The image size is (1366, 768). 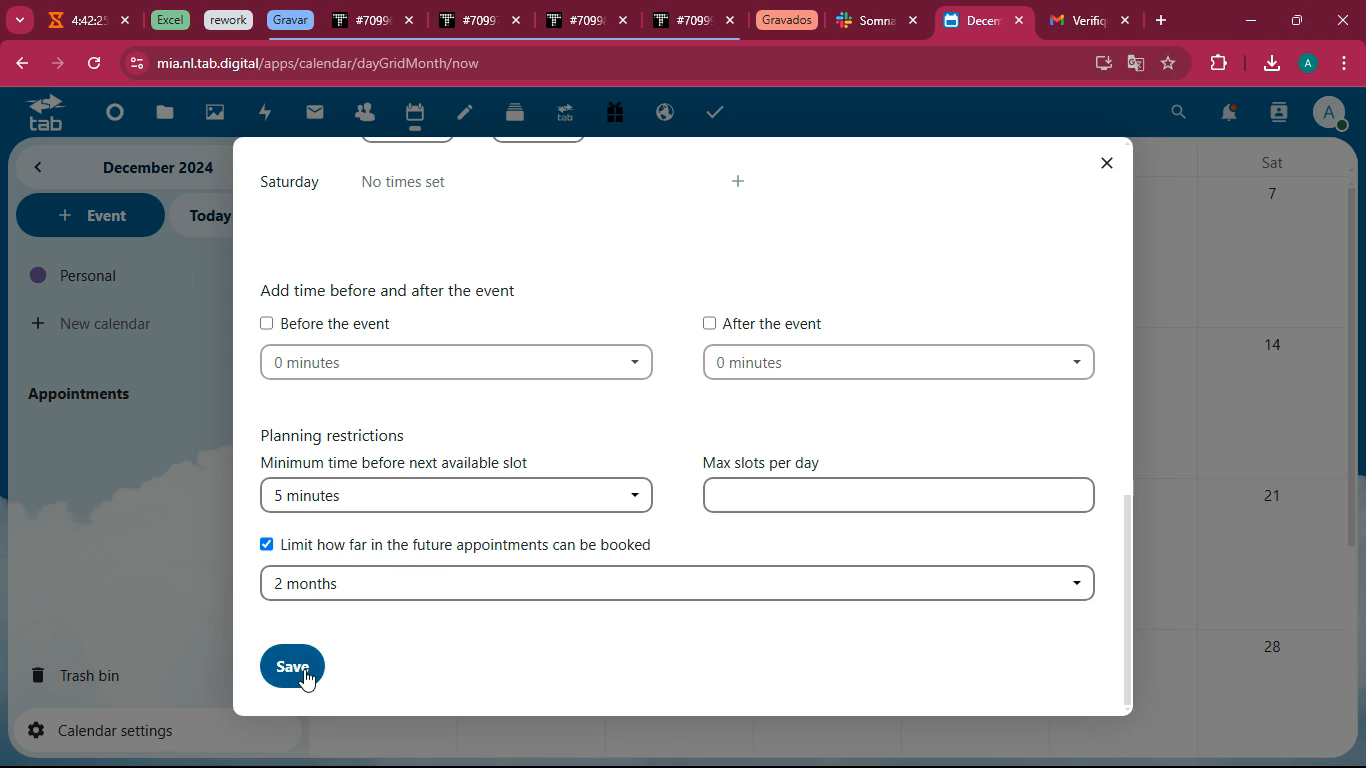 I want to click on close, so click(x=1024, y=21).